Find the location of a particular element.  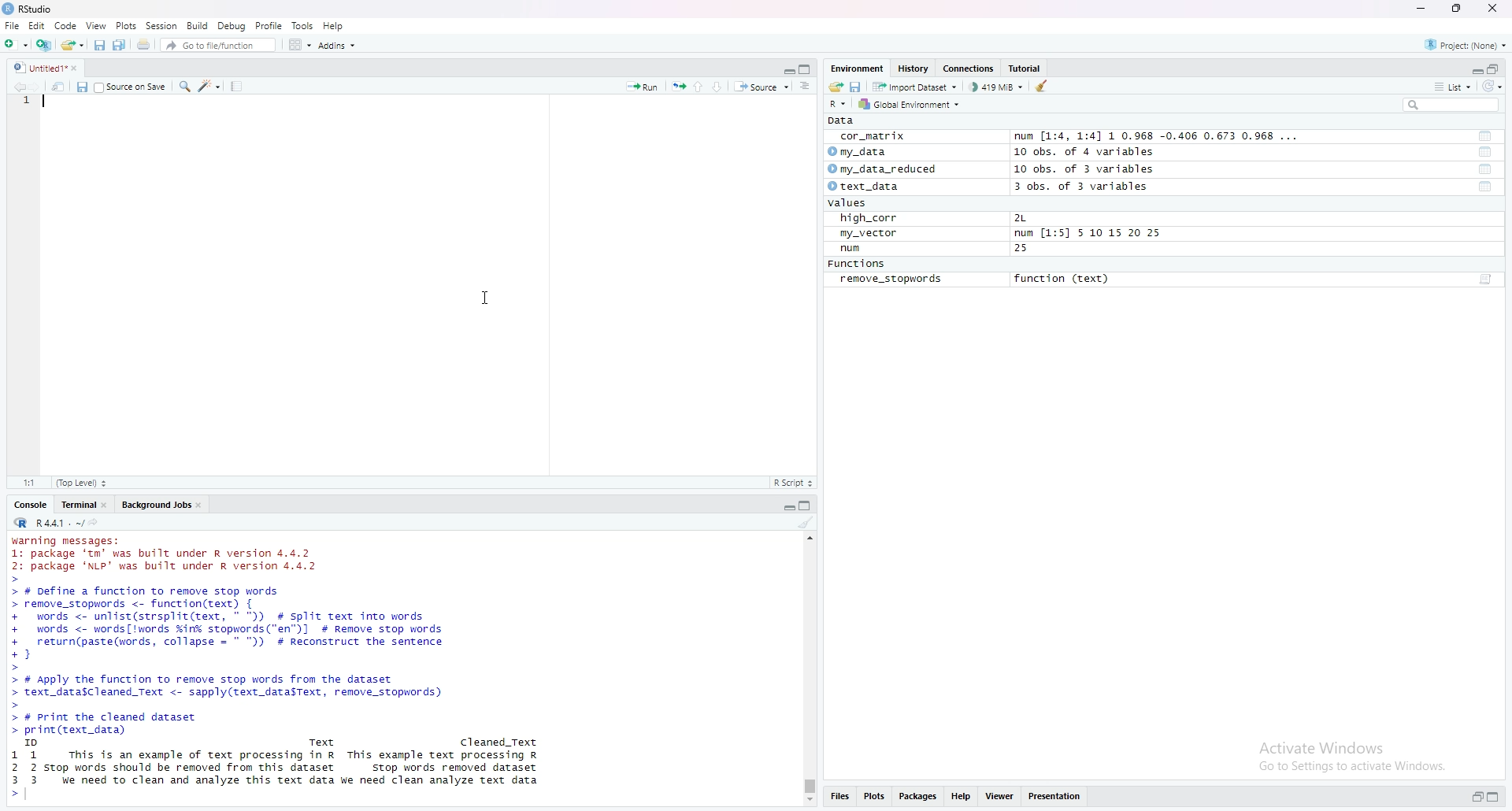

Search is located at coordinates (1450, 106).